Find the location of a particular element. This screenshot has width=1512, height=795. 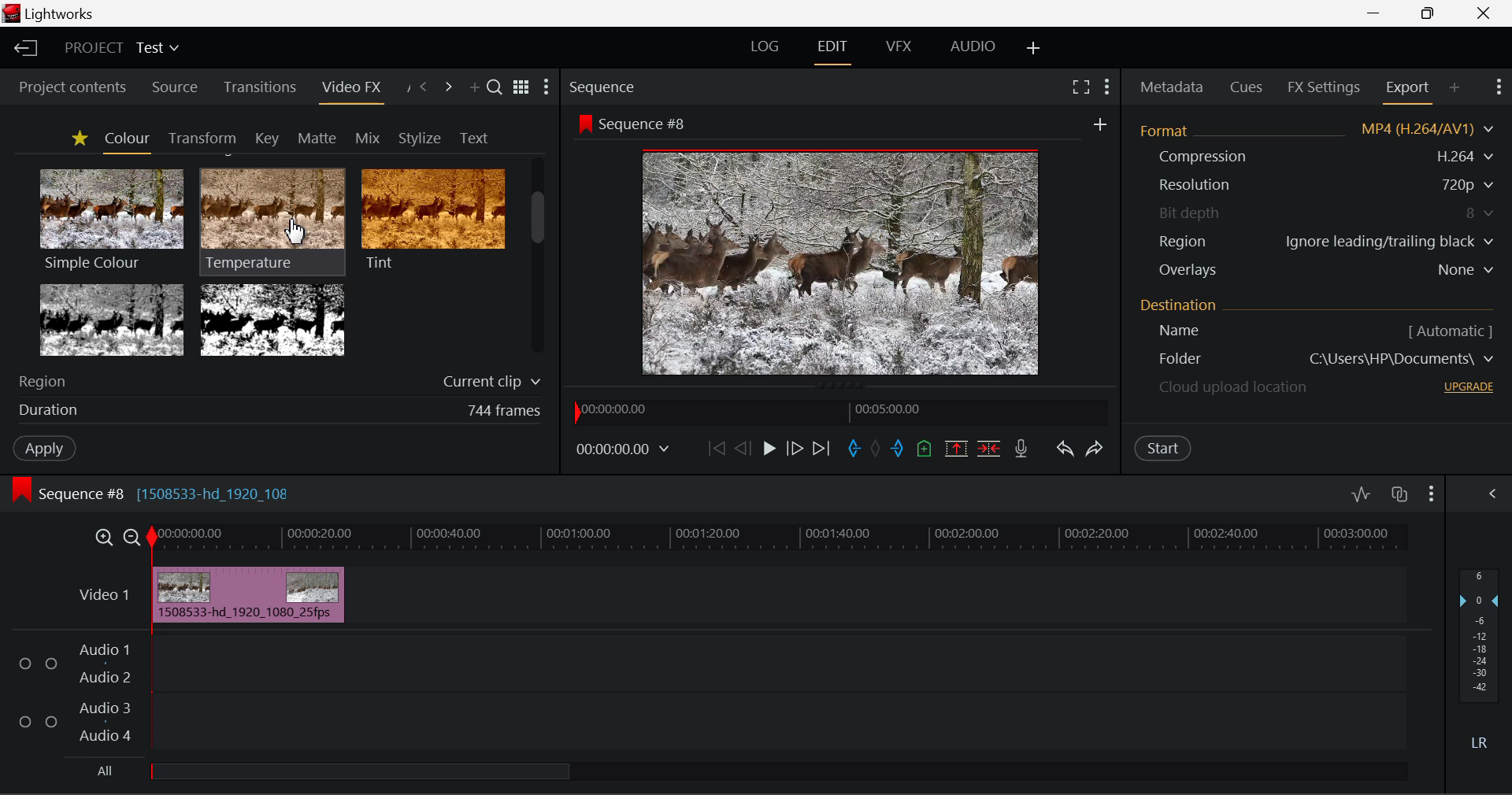

Full Screen is located at coordinates (1079, 90).